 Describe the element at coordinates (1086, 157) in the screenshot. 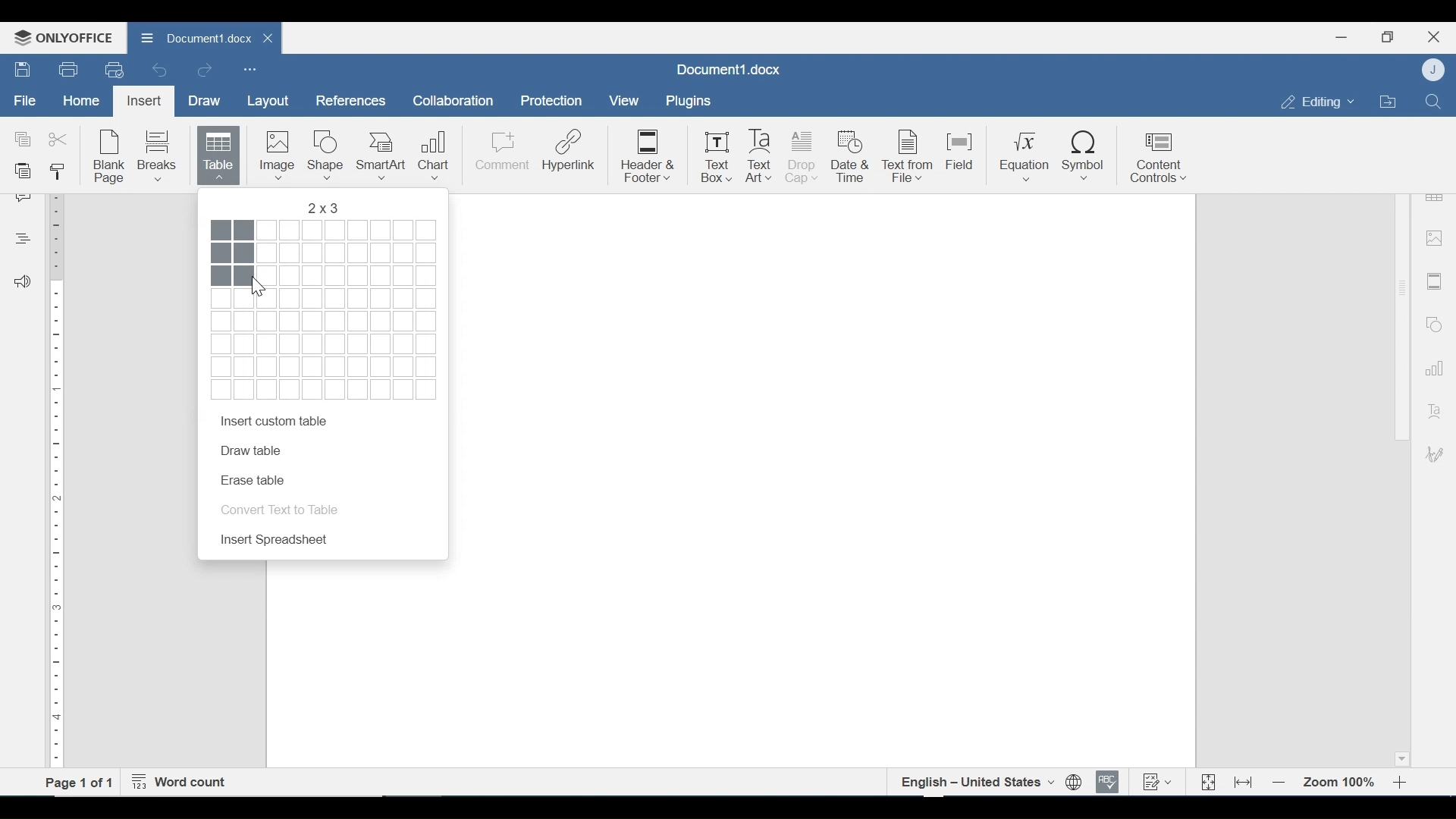

I see `Symbol` at that location.